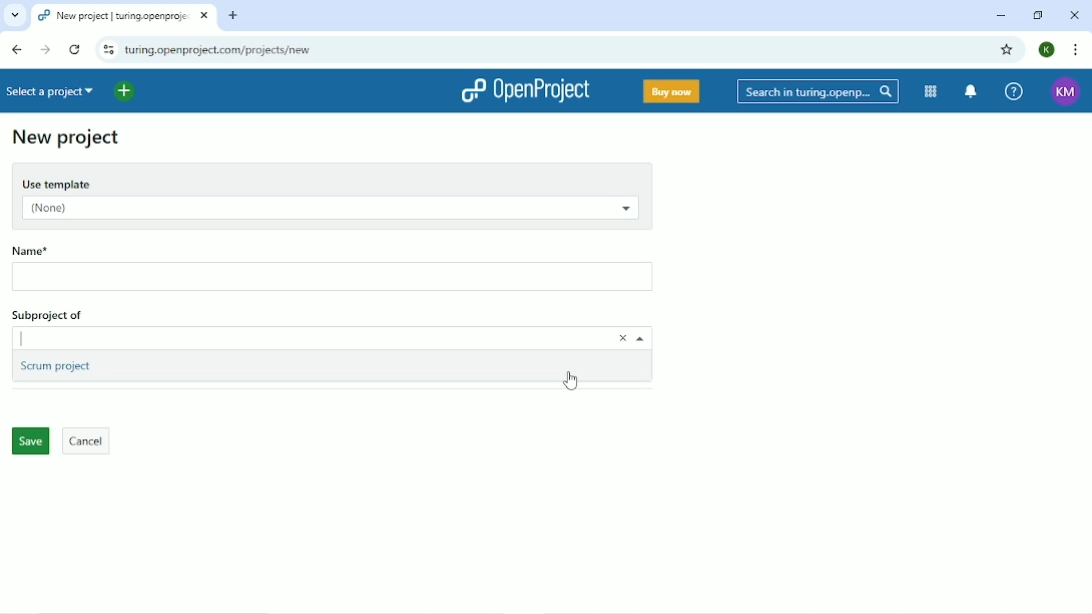 The height and width of the screenshot is (614, 1092). I want to click on Back, so click(17, 49).